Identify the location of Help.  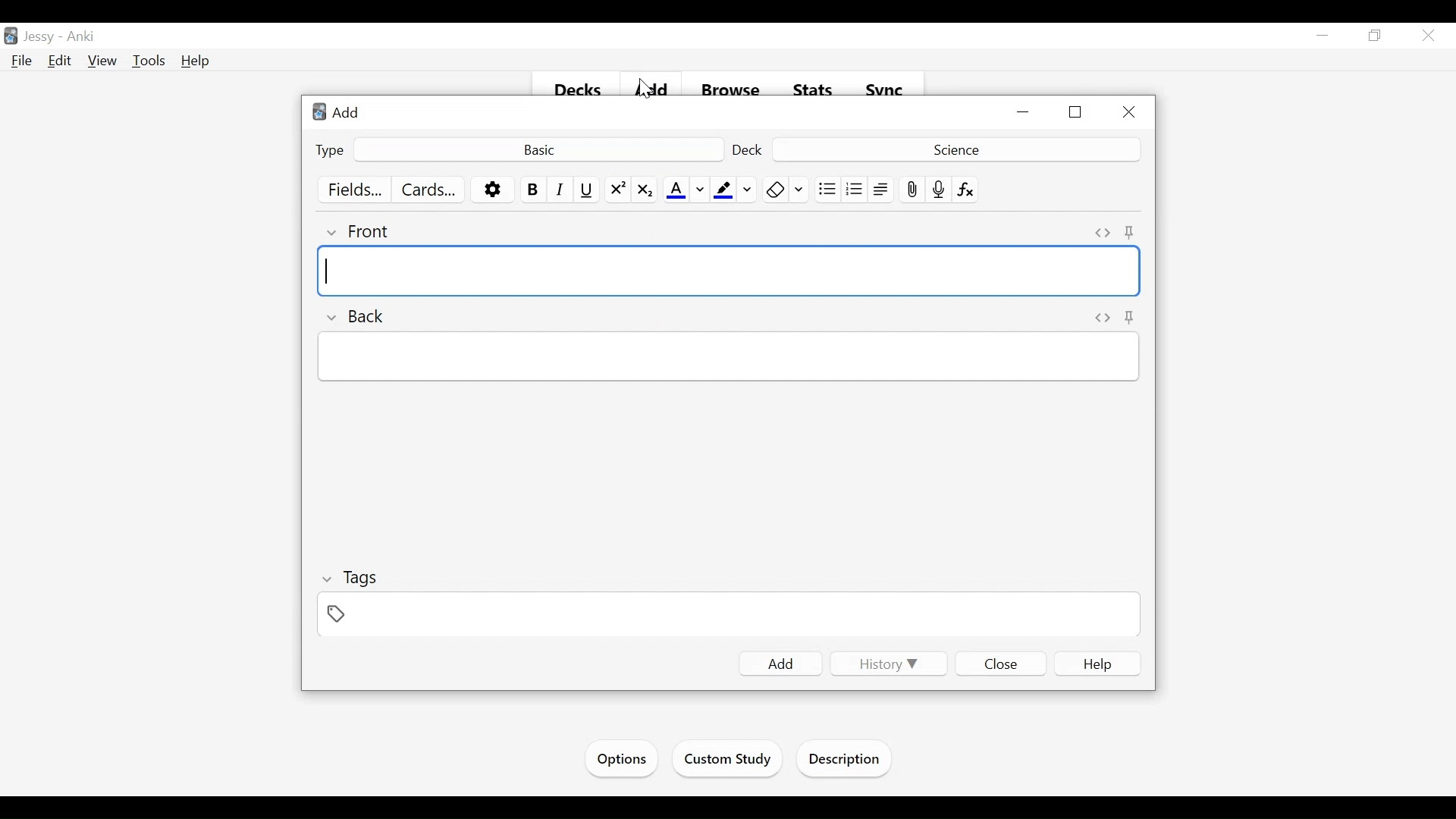
(1098, 664).